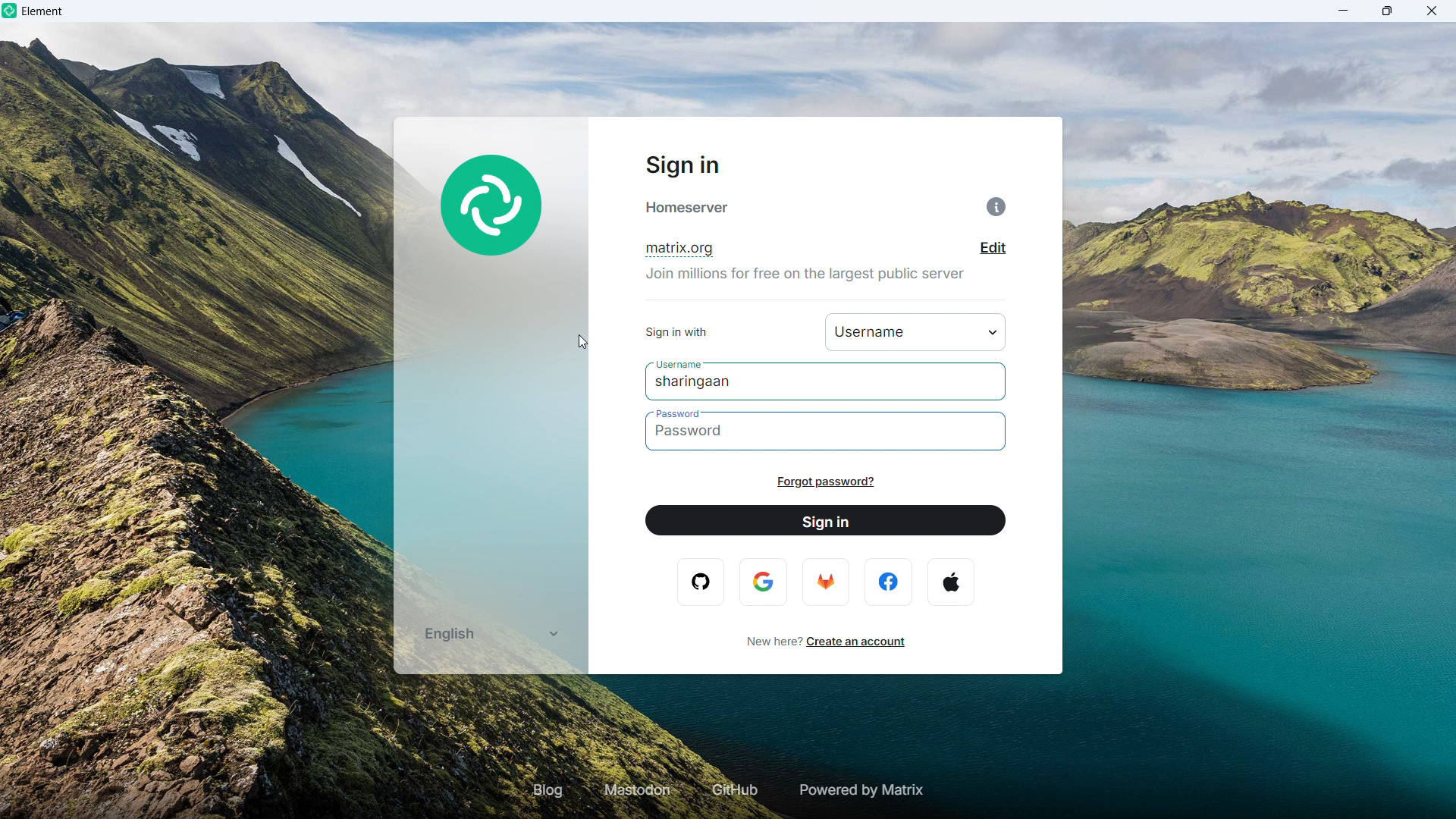 The height and width of the screenshot is (819, 1456). What do you see at coordinates (585, 343) in the screenshot?
I see `cursor movement` at bounding box center [585, 343].